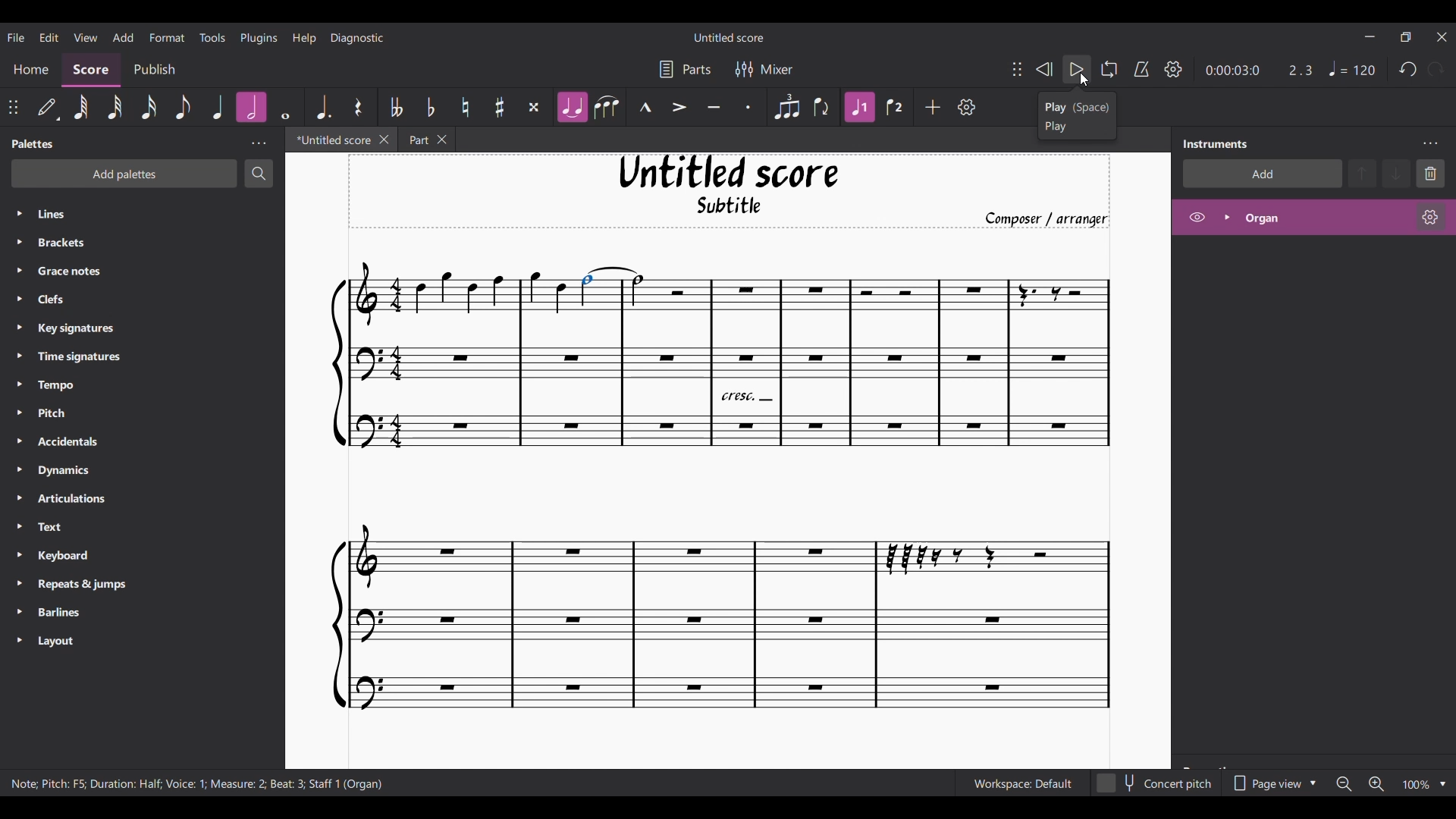 Image resolution: width=1456 pixels, height=819 pixels. What do you see at coordinates (679, 108) in the screenshot?
I see `Accent` at bounding box center [679, 108].